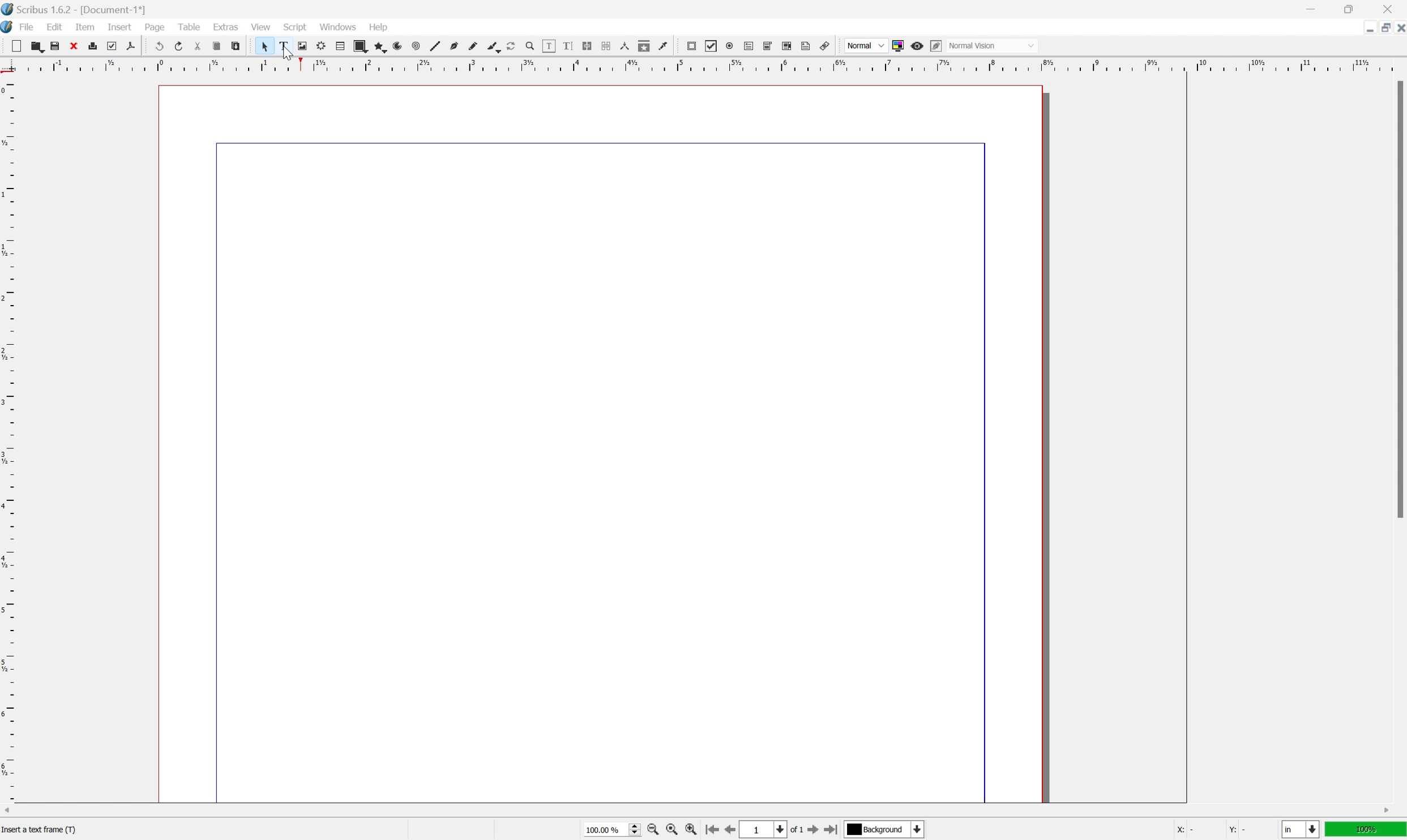 The height and width of the screenshot is (840, 1407). What do you see at coordinates (379, 26) in the screenshot?
I see `help` at bounding box center [379, 26].